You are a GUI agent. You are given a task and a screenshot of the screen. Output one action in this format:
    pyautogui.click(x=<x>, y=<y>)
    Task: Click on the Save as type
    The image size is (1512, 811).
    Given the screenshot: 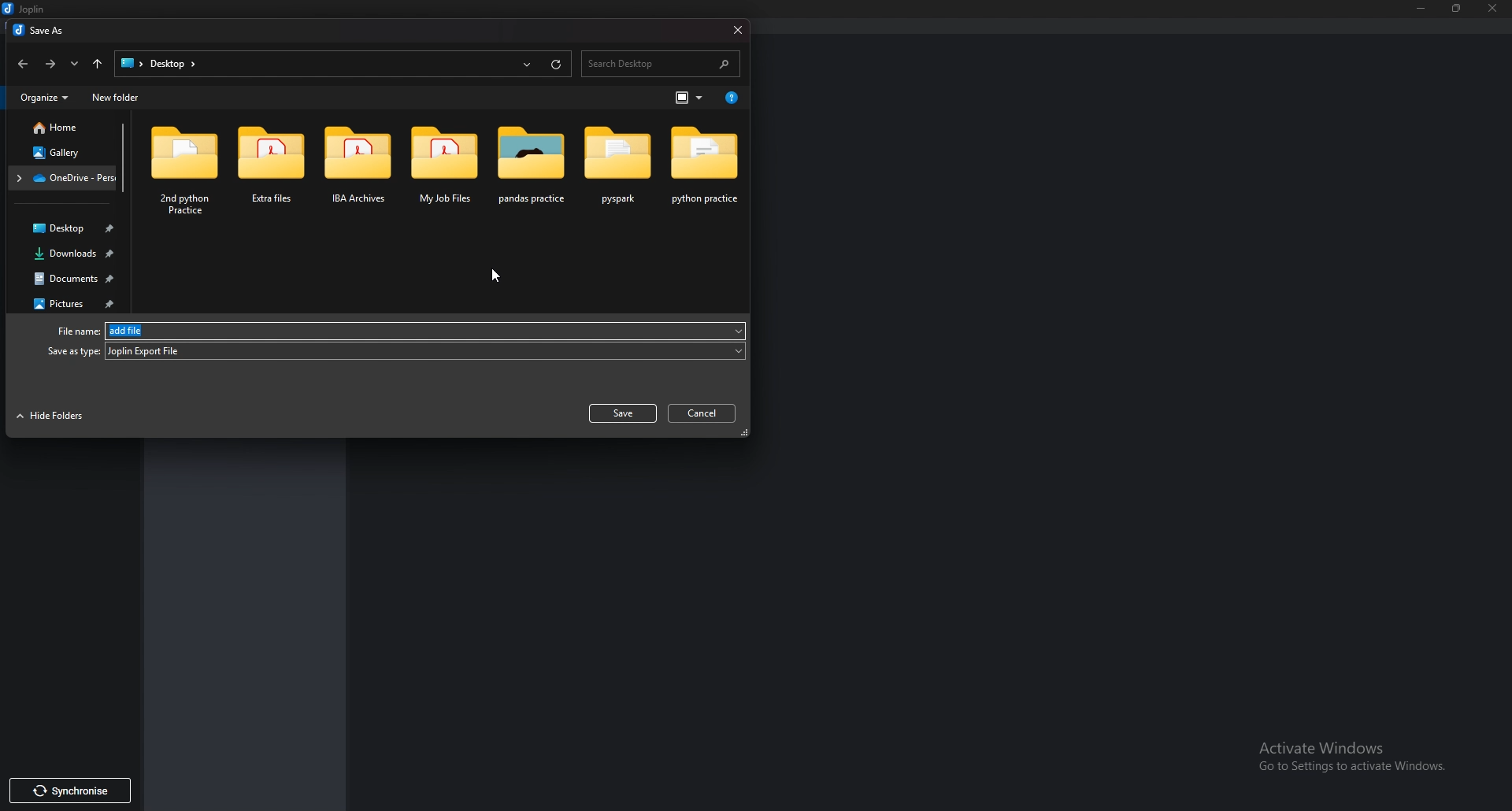 What is the action you would take?
    pyautogui.click(x=74, y=352)
    